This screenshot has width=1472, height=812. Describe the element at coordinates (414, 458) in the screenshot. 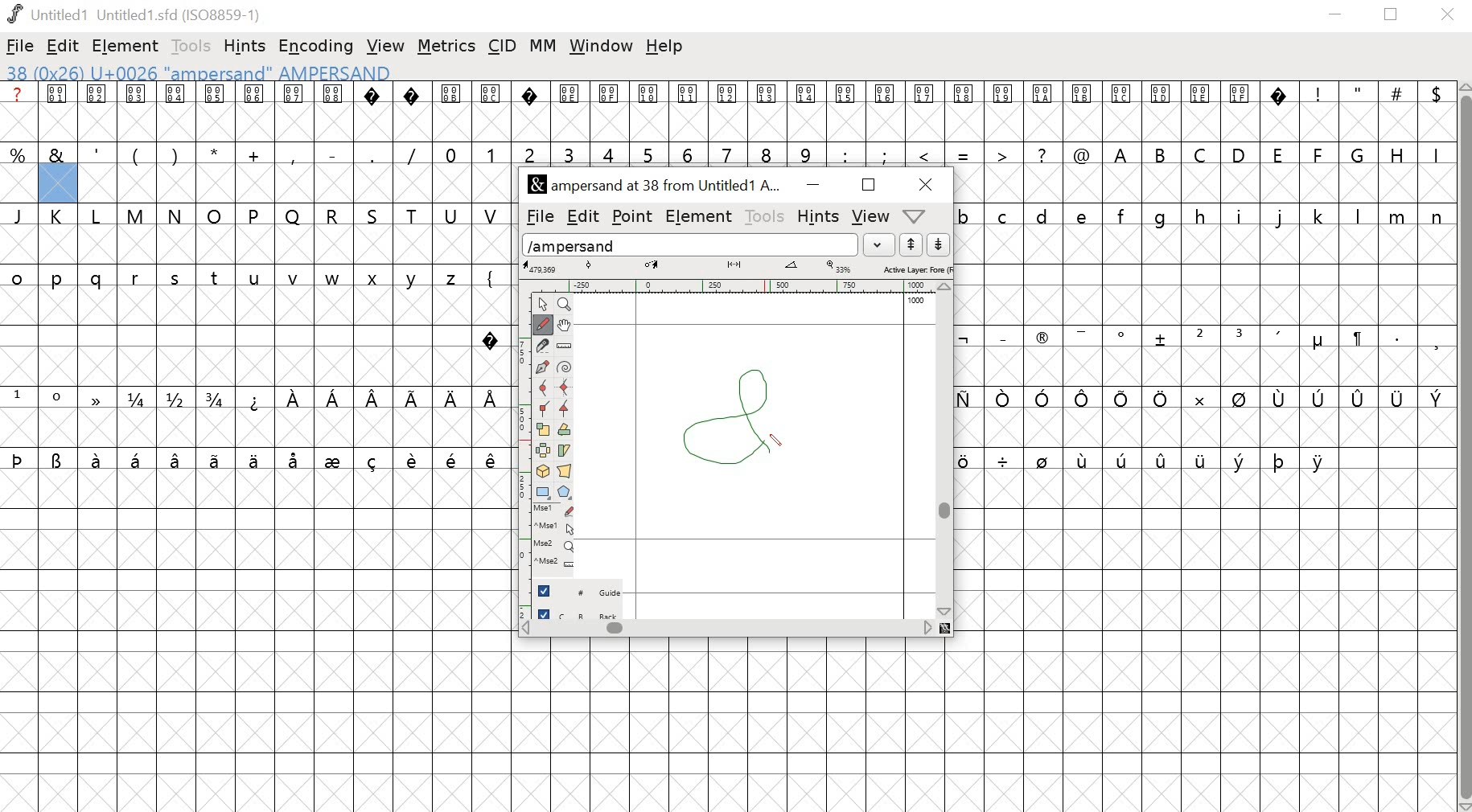

I see `symbol` at that location.